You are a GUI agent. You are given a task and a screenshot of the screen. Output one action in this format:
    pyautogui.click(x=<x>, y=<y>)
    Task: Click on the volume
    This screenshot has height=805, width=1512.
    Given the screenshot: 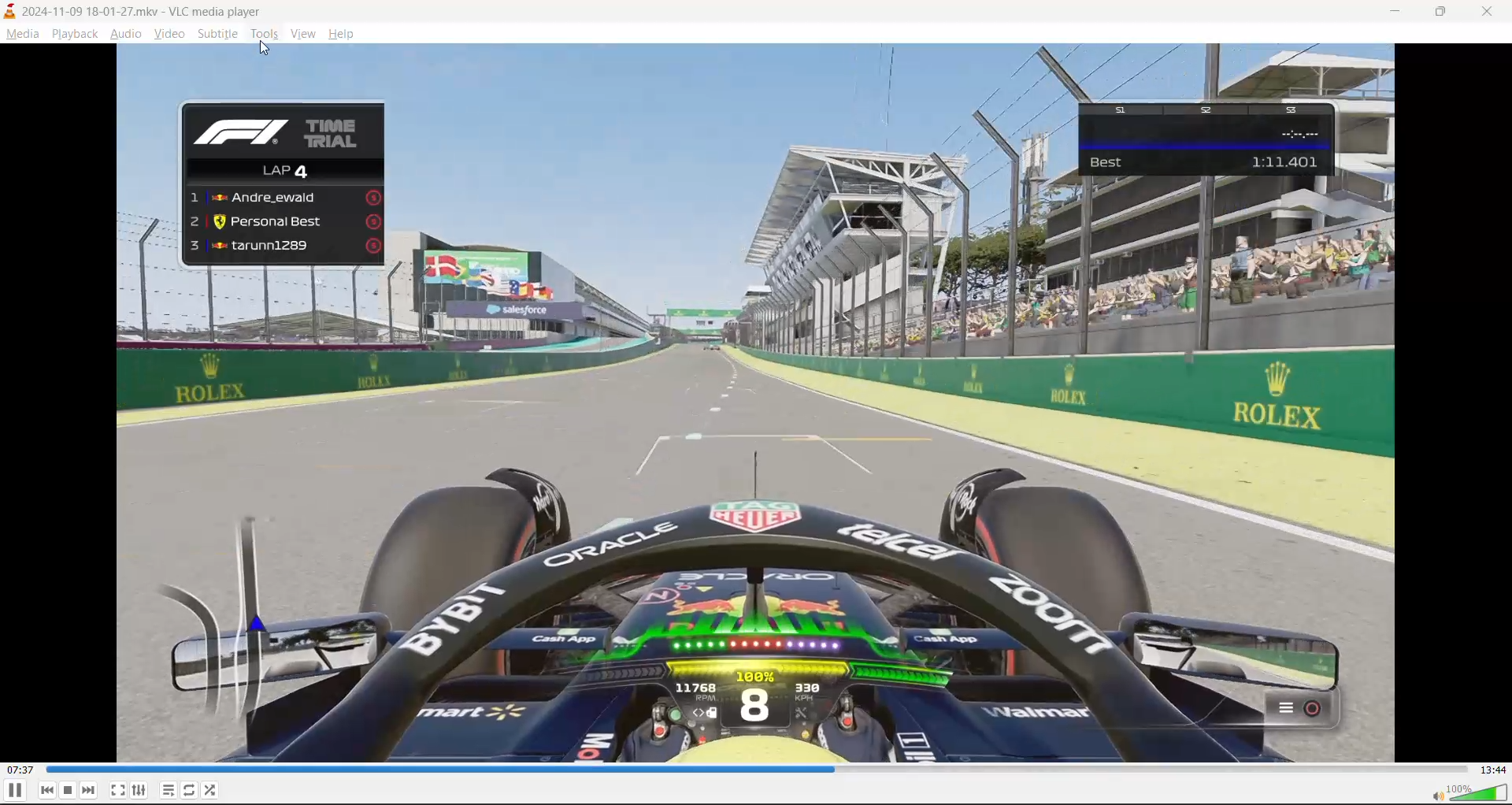 What is the action you would take?
    pyautogui.click(x=1468, y=792)
    